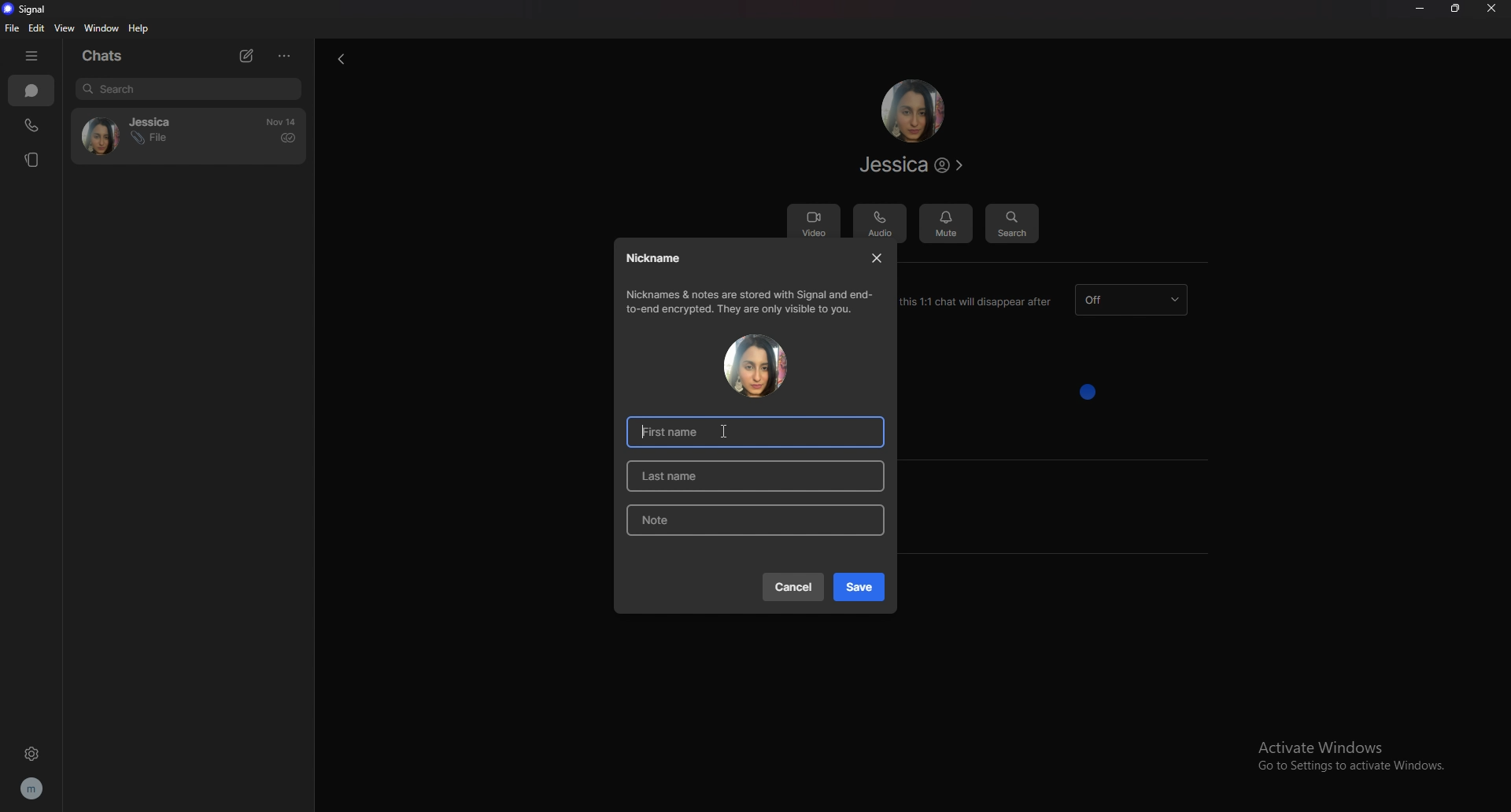 This screenshot has height=812, width=1511. What do you see at coordinates (1419, 9) in the screenshot?
I see `minimize` at bounding box center [1419, 9].